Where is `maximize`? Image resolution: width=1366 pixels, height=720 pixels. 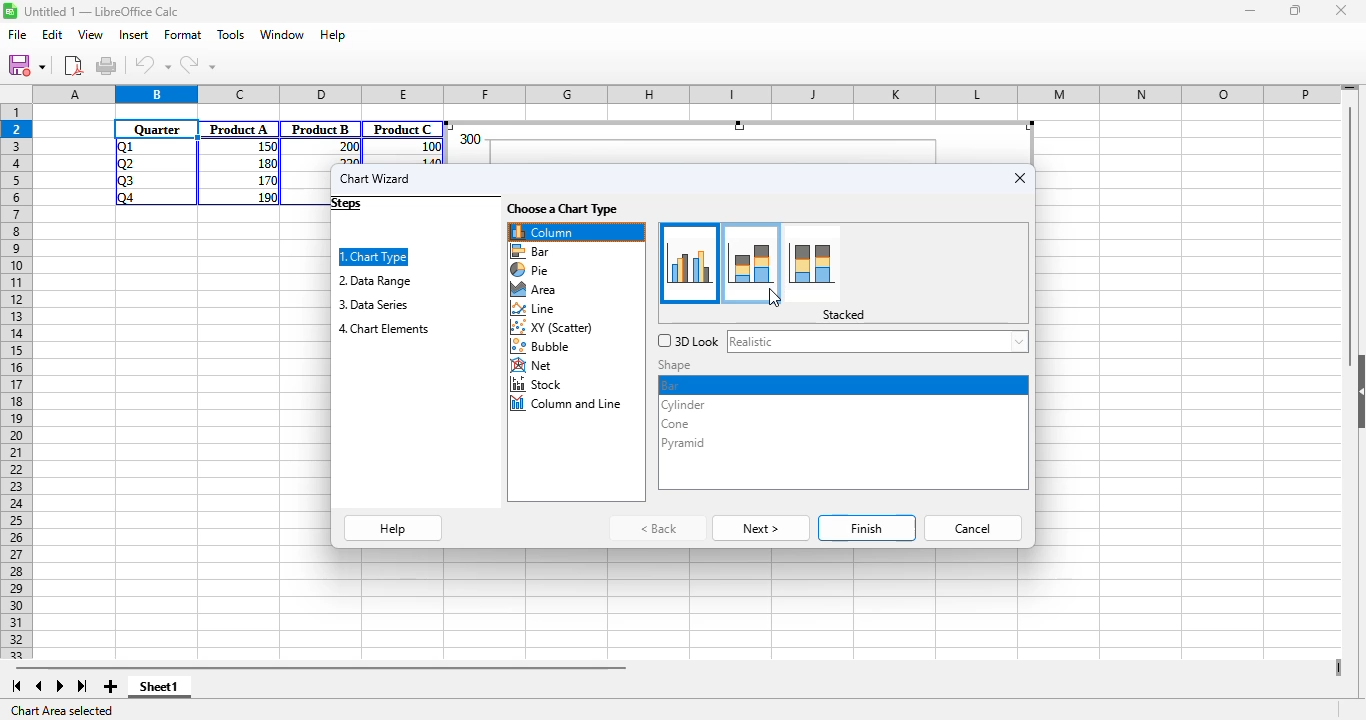
maximize is located at coordinates (1297, 11).